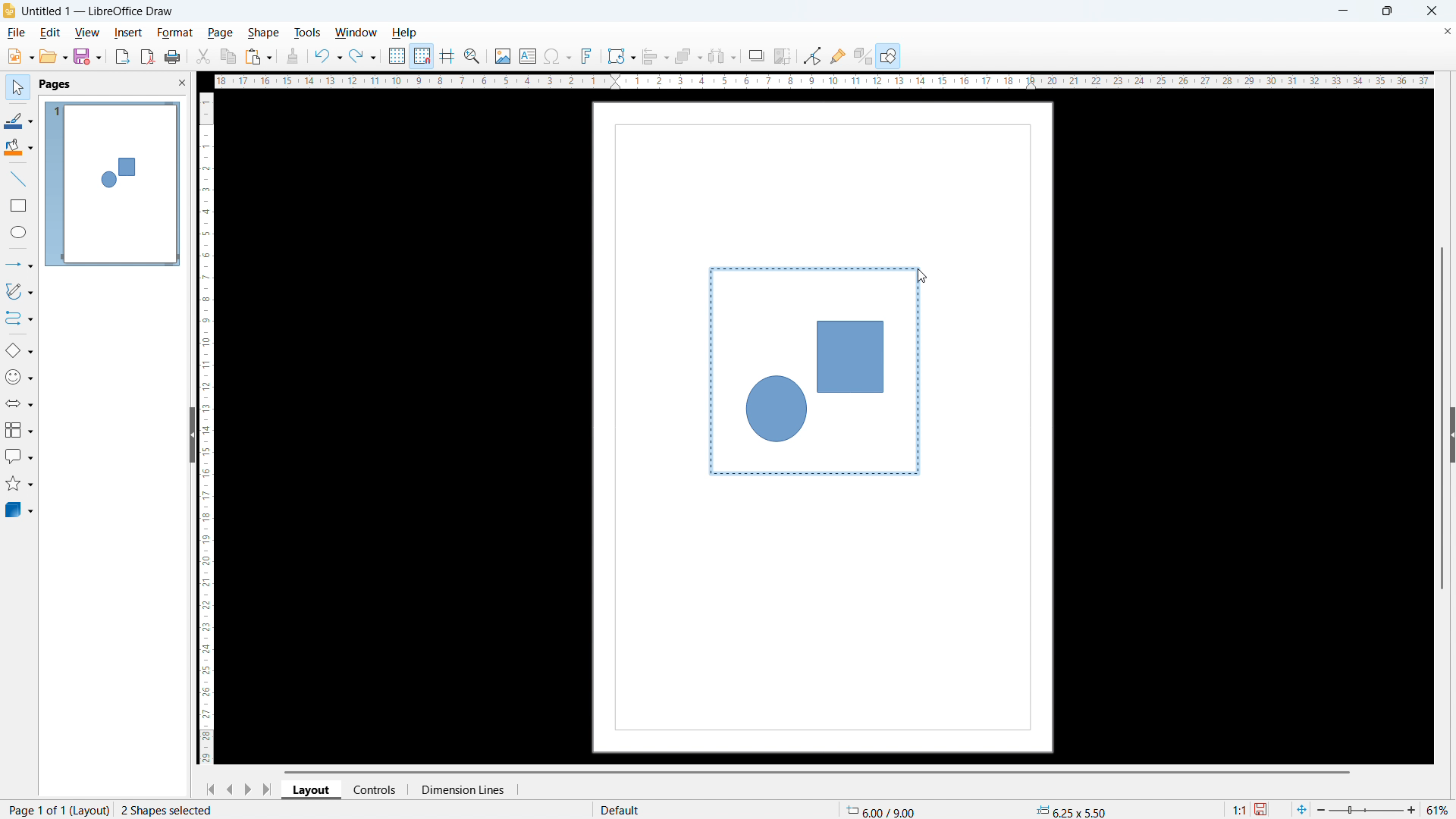  I want to click on transformation, so click(620, 57).